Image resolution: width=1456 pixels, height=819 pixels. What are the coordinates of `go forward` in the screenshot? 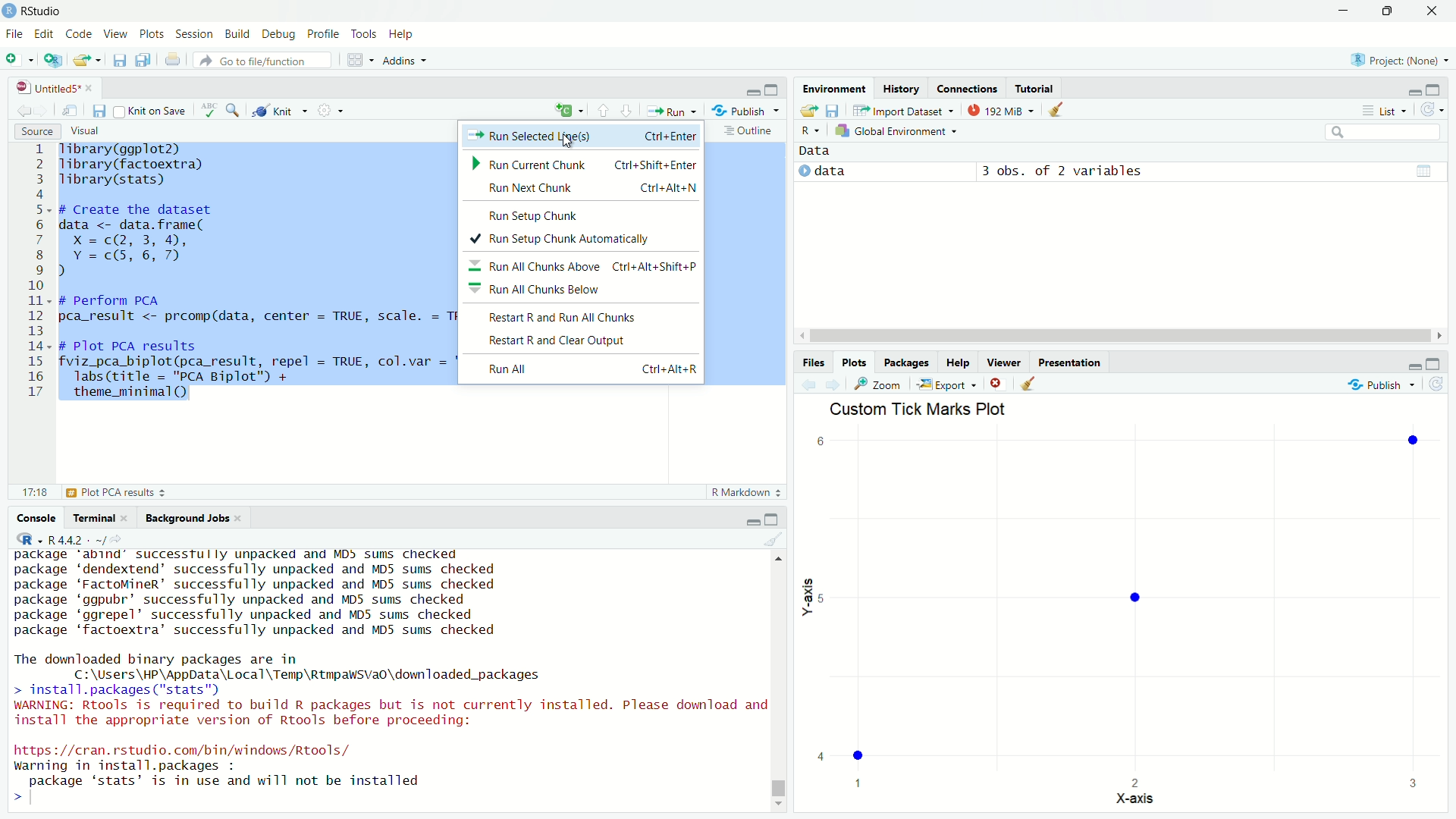 It's located at (628, 109).